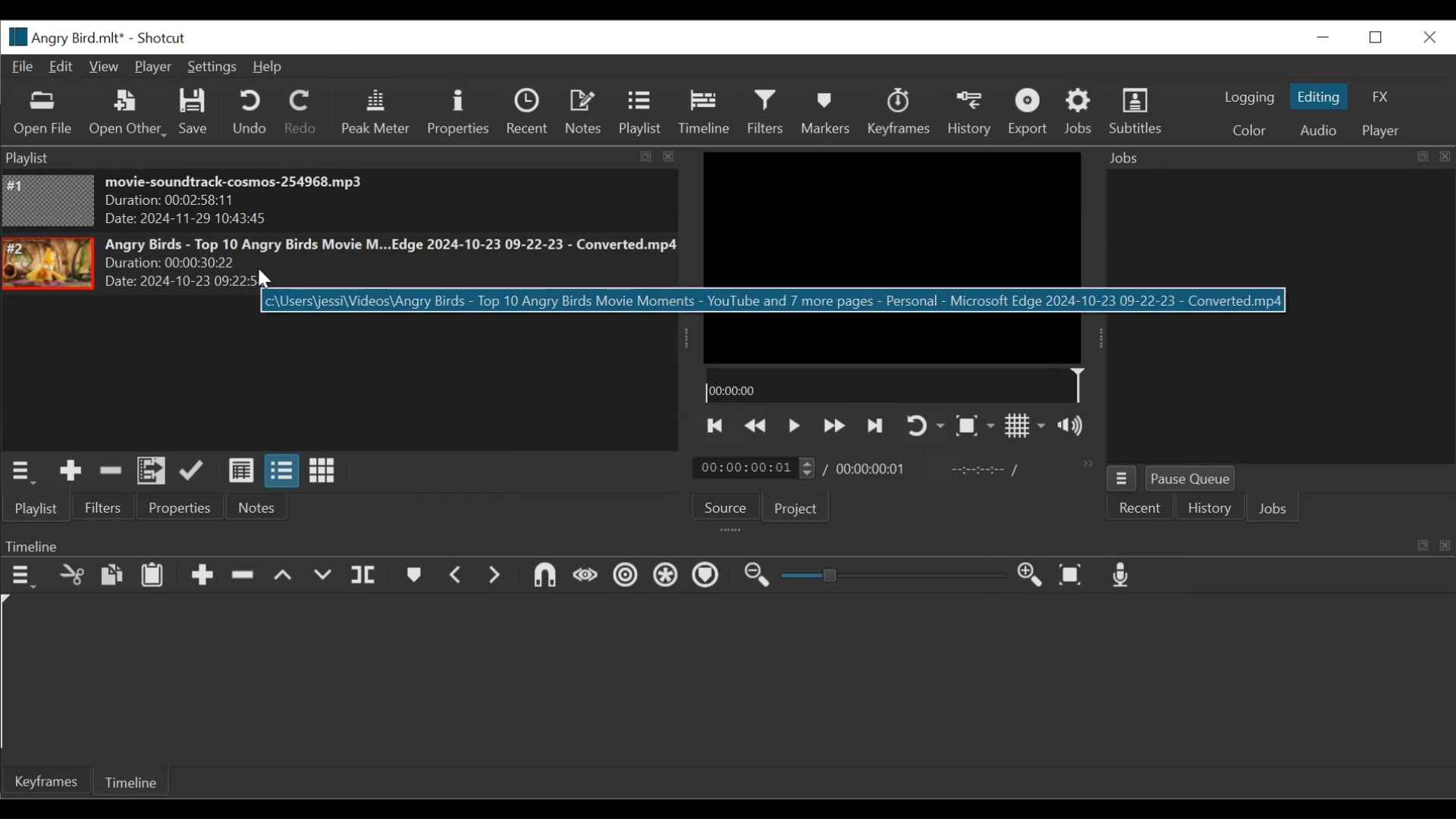 The height and width of the screenshot is (819, 1456). Describe the element at coordinates (582, 111) in the screenshot. I see `Notes` at that location.